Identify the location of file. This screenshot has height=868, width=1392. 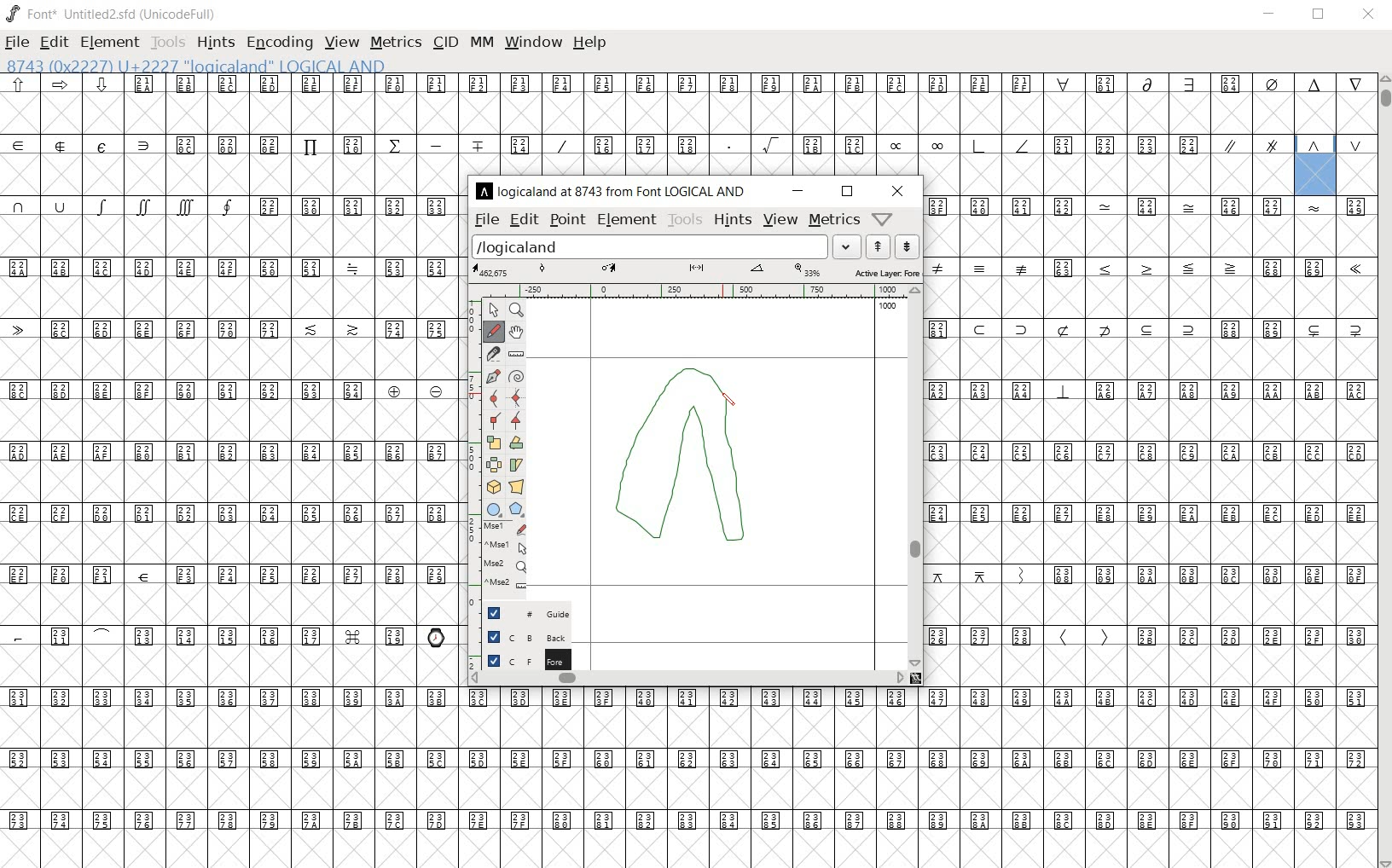
(17, 44).